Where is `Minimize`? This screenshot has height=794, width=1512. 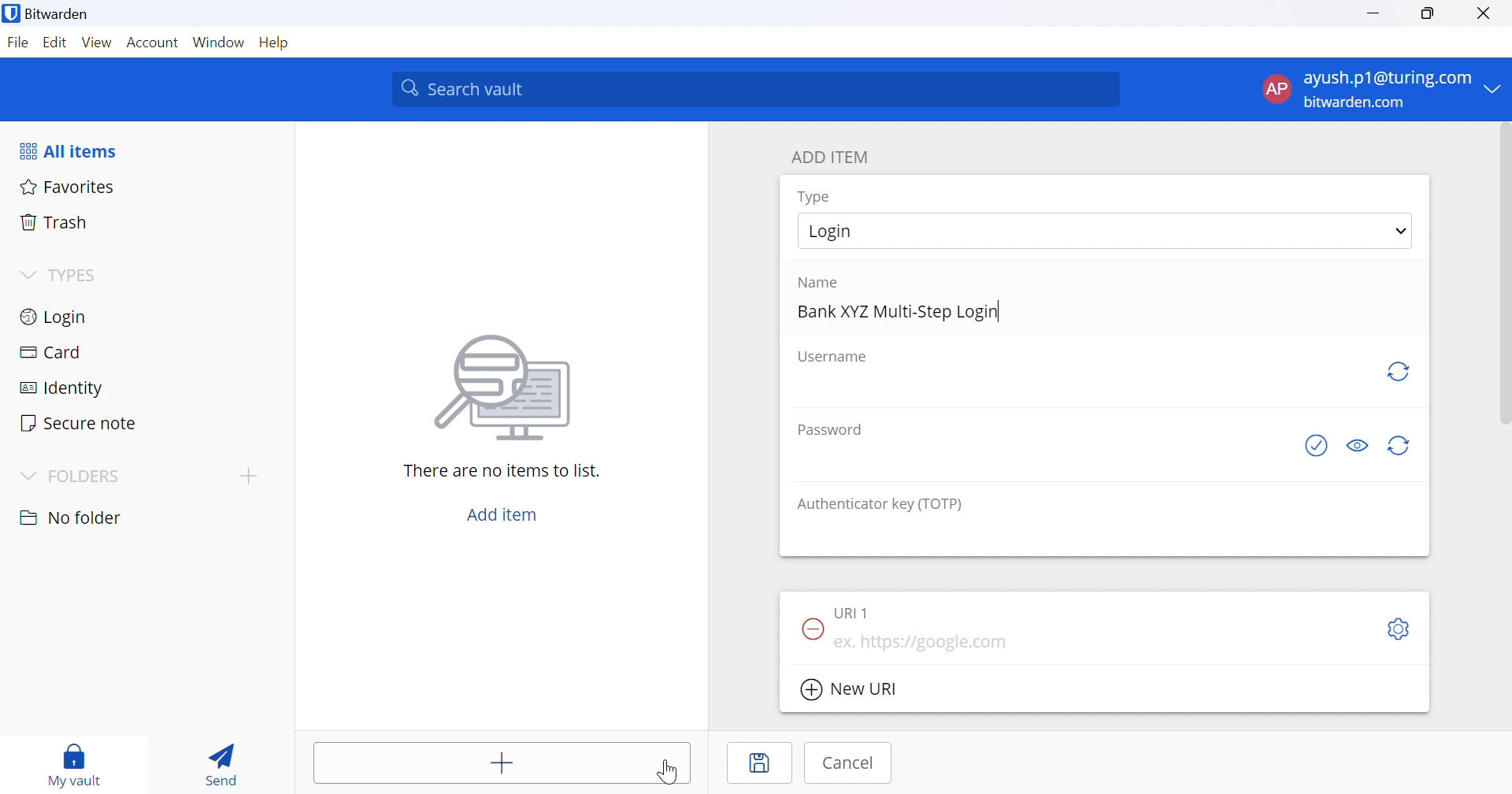
Minimize is located at coordinates (1373, 15).